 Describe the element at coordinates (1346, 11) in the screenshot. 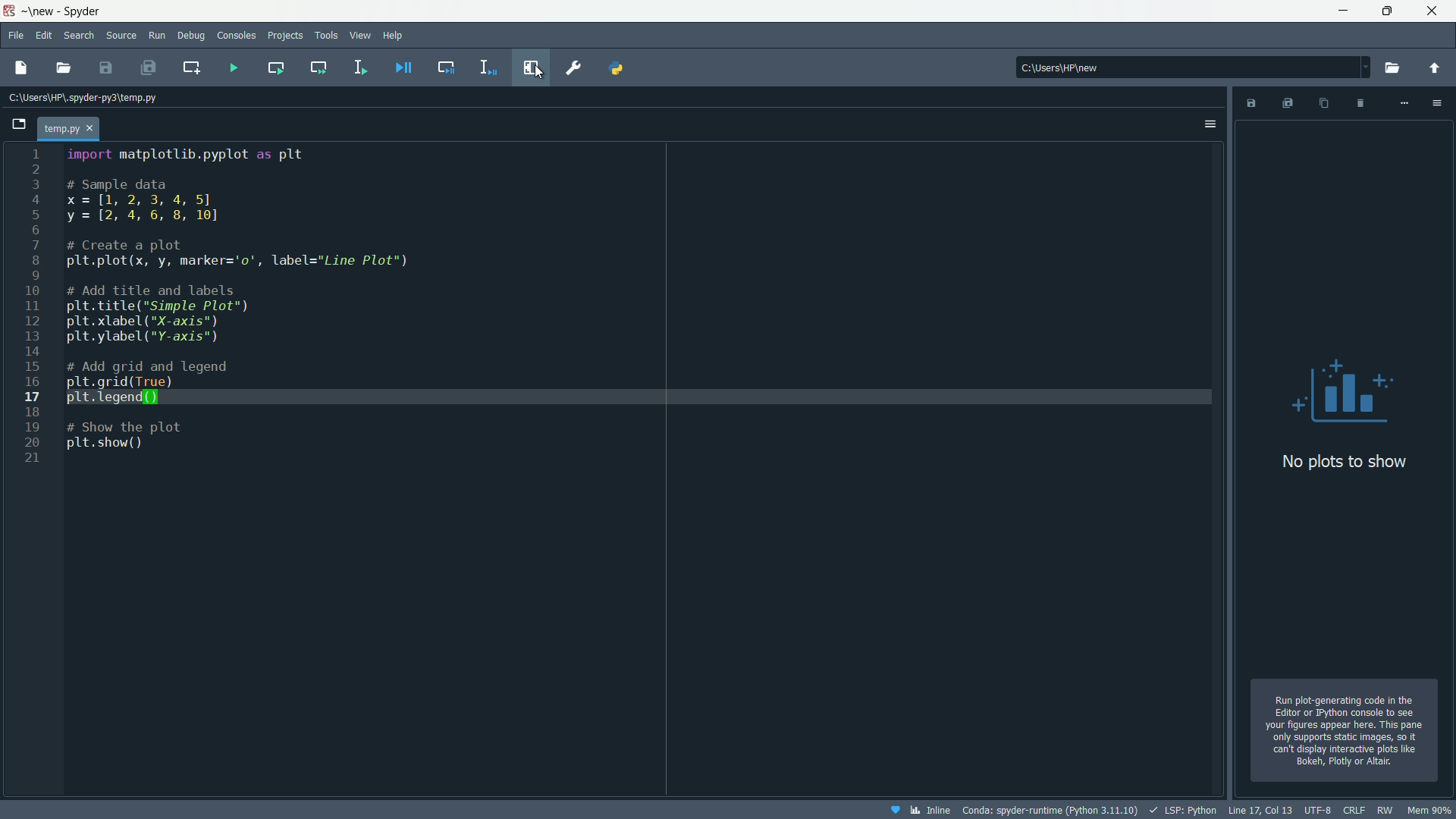

I see `minimize` at that location.